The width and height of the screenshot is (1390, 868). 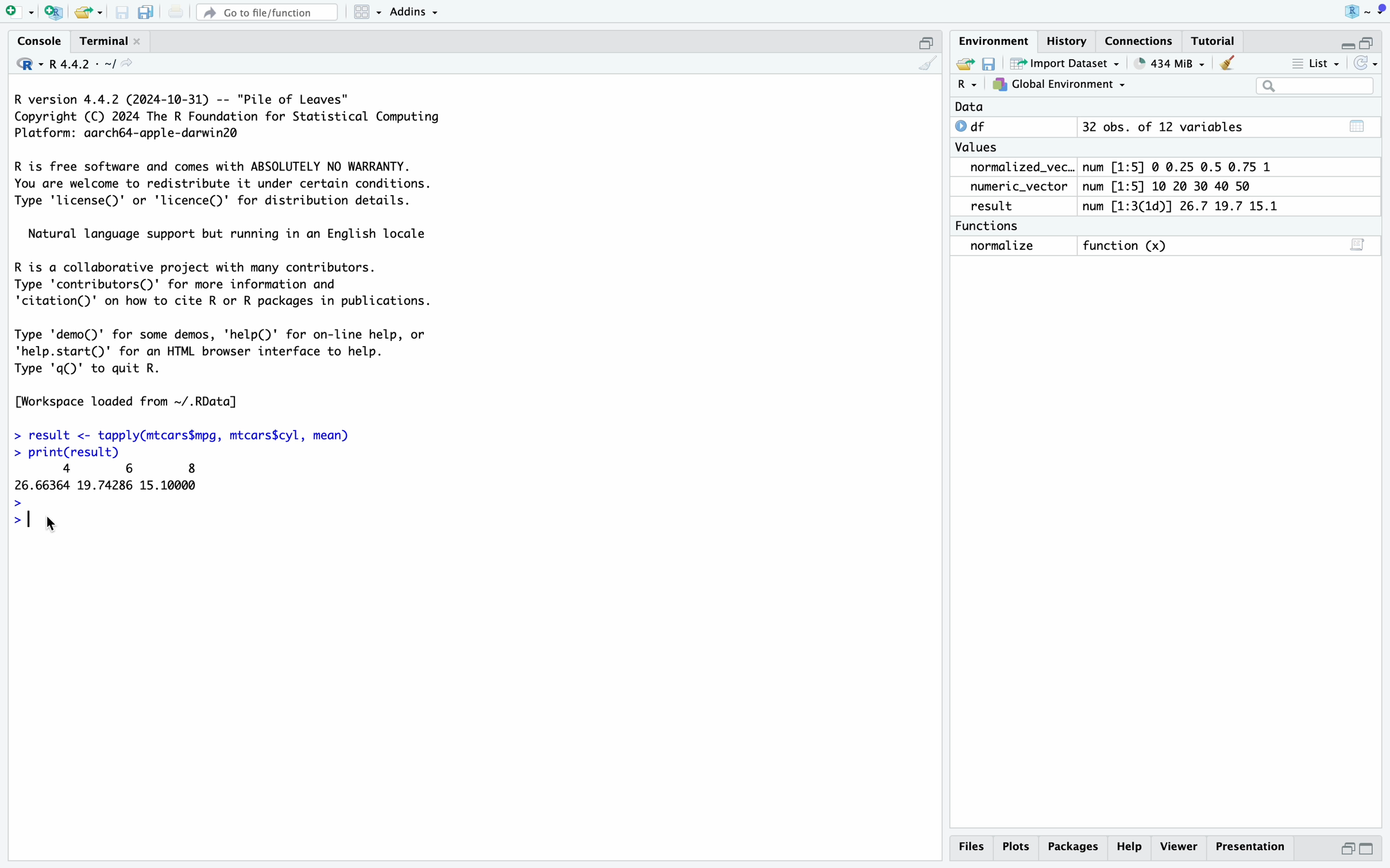 What do you see at coordinates (1003, 246) in the screenshot?
I see `normalize` at bounding box center [1003, 246].